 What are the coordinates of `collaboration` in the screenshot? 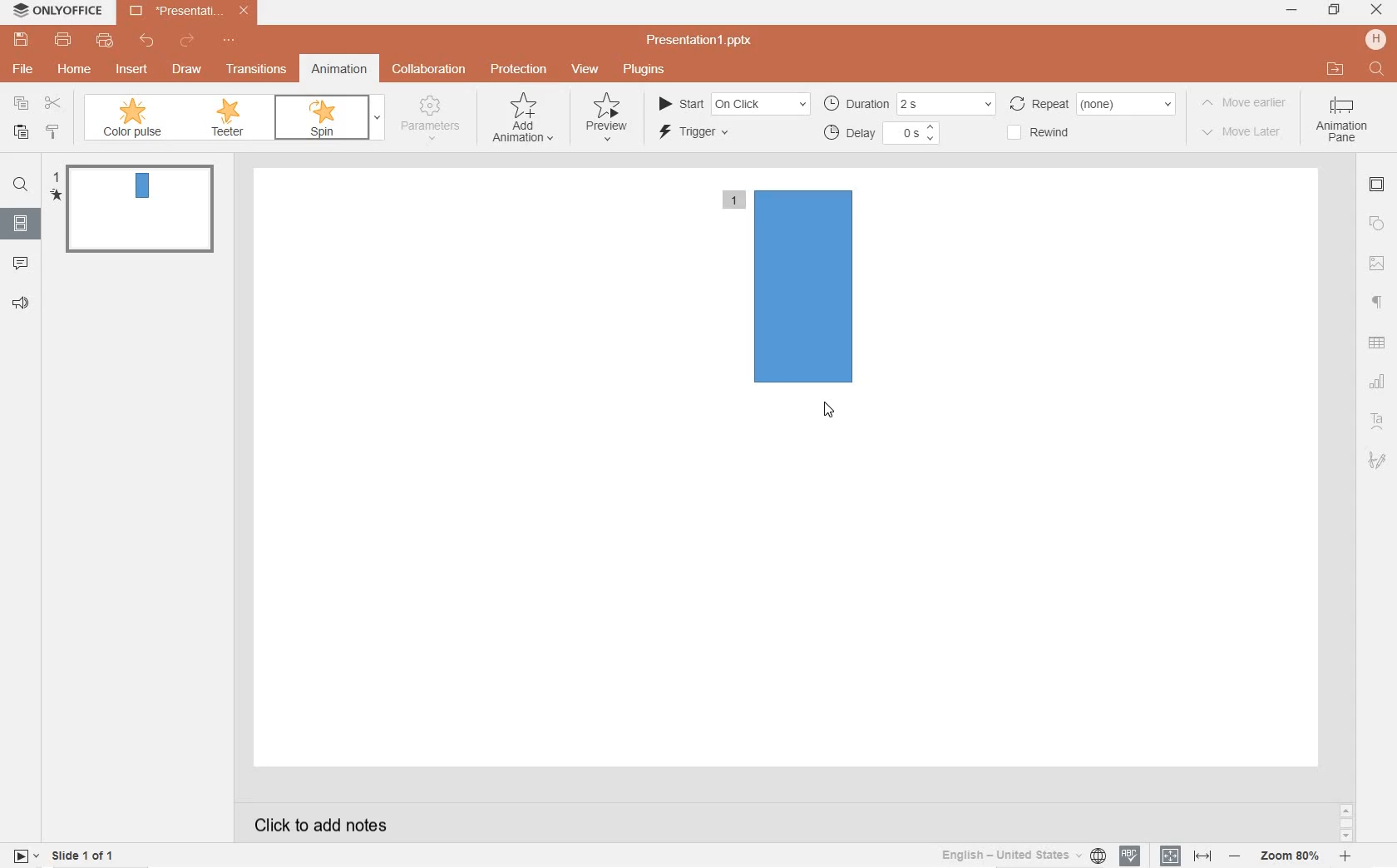 It's located at (430, 69).